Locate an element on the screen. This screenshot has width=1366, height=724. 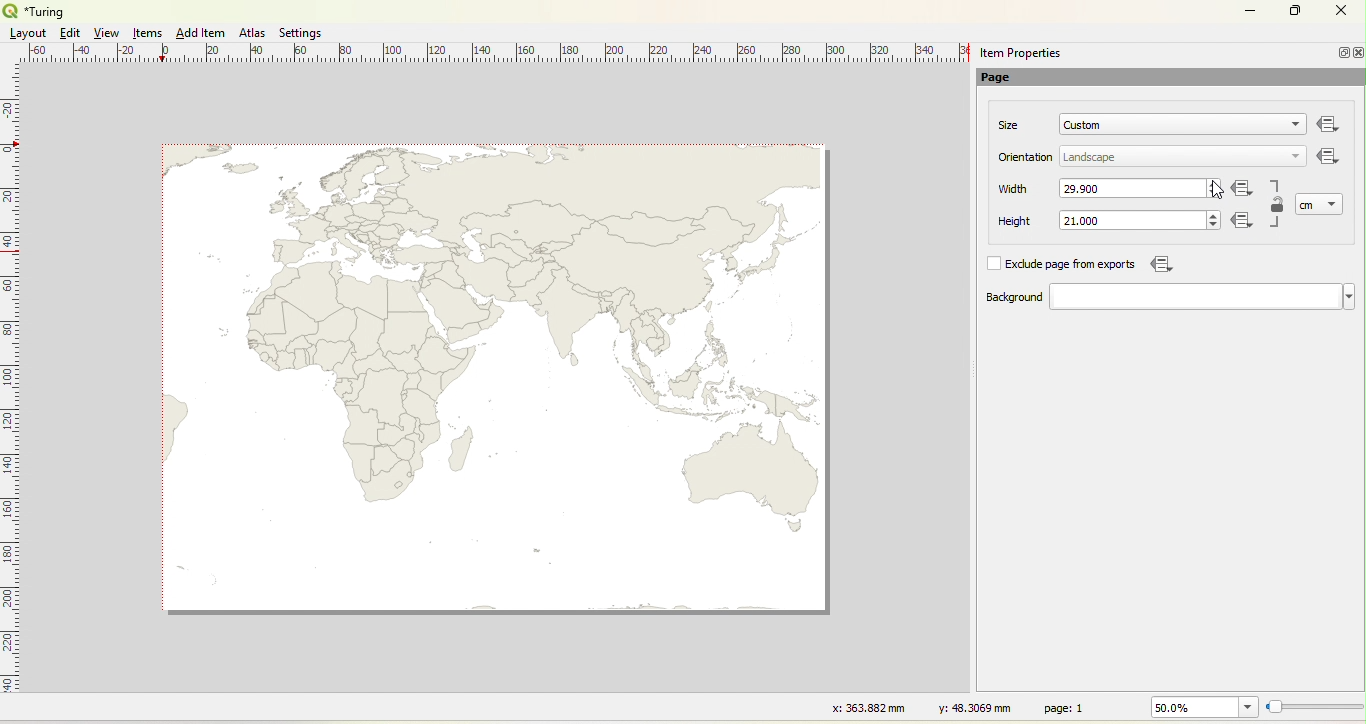
unit is located at coordinates (1311, 206).